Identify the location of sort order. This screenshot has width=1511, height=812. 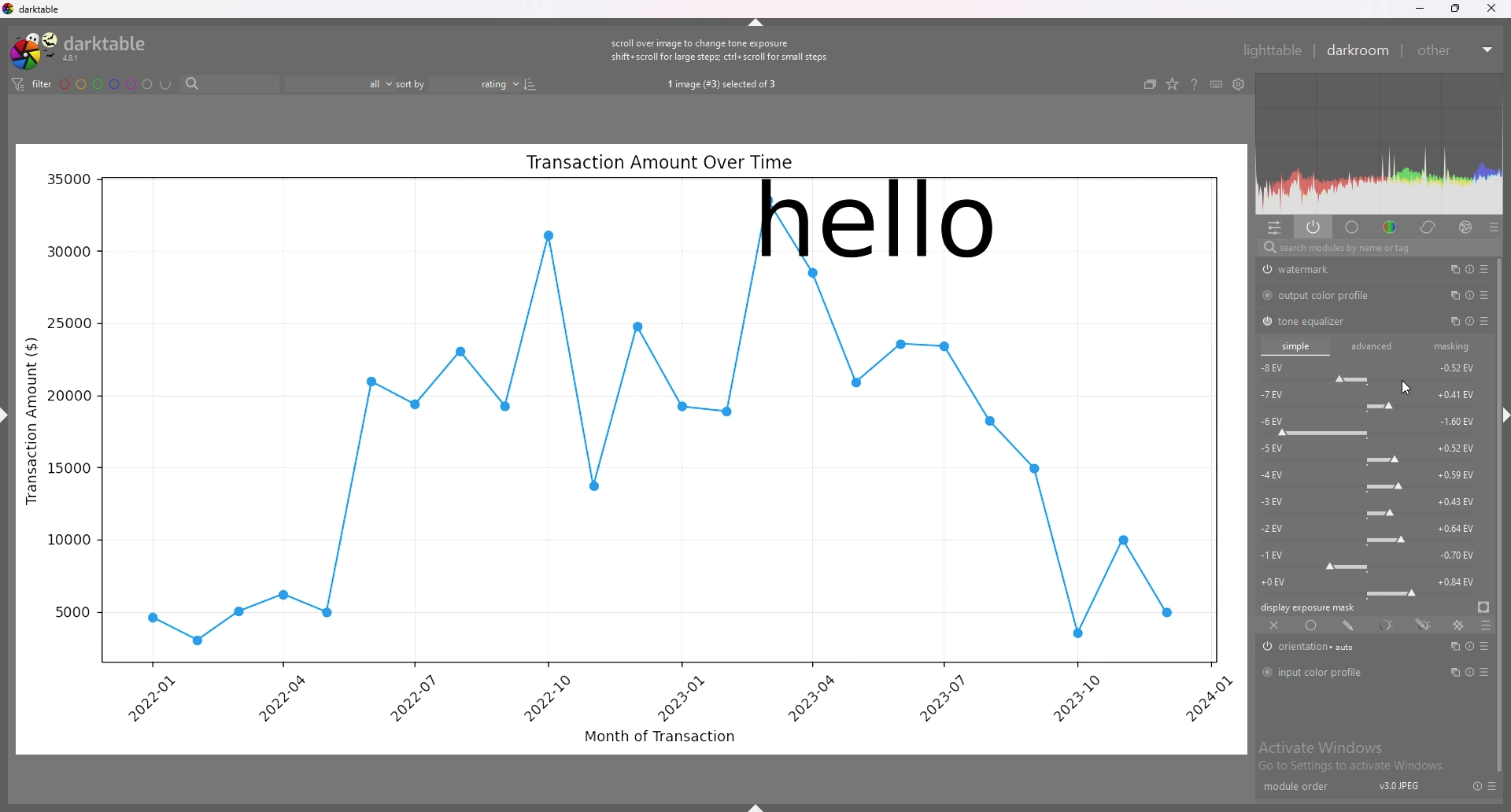
(475, 83).